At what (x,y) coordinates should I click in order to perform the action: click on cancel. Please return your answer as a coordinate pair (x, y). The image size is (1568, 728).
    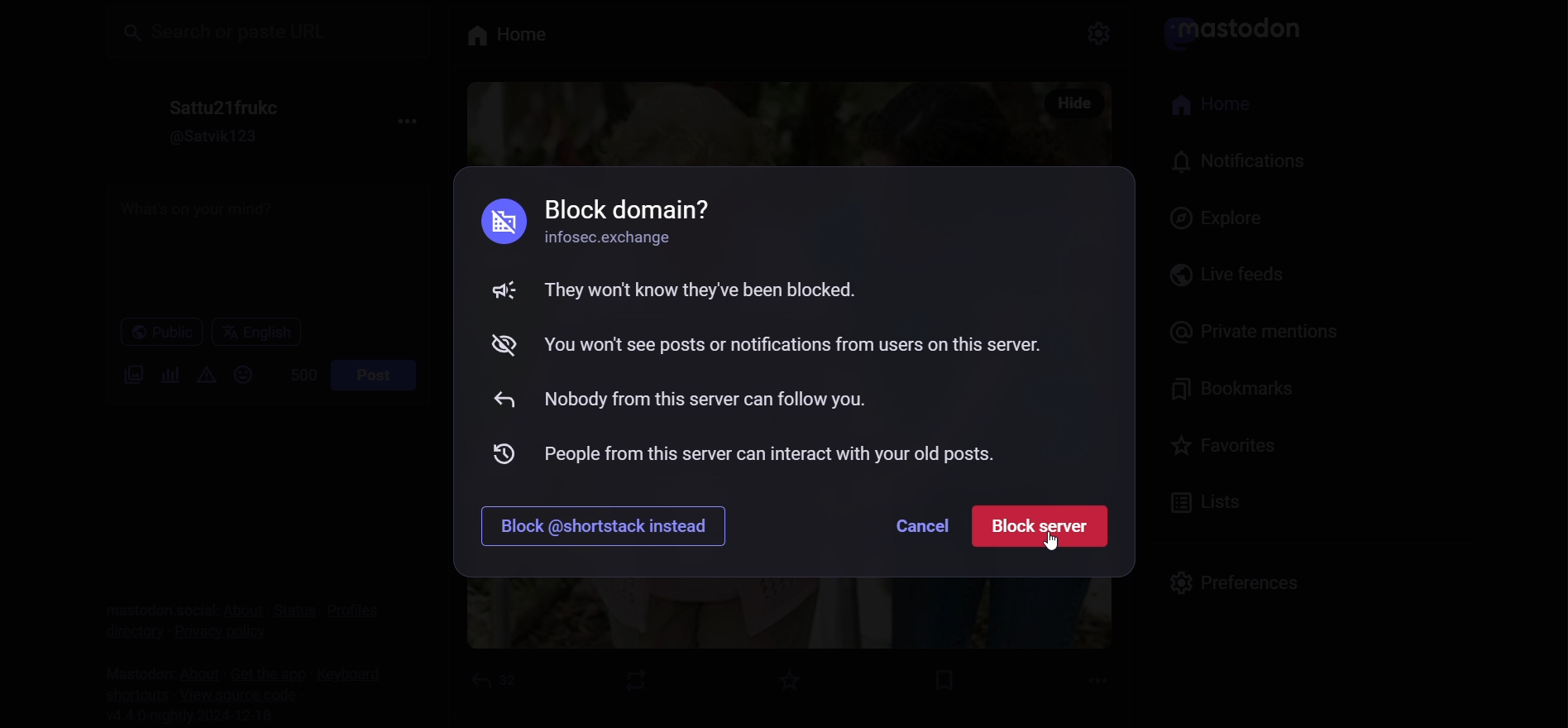
    Looking at the image, I should click on (925, 524).